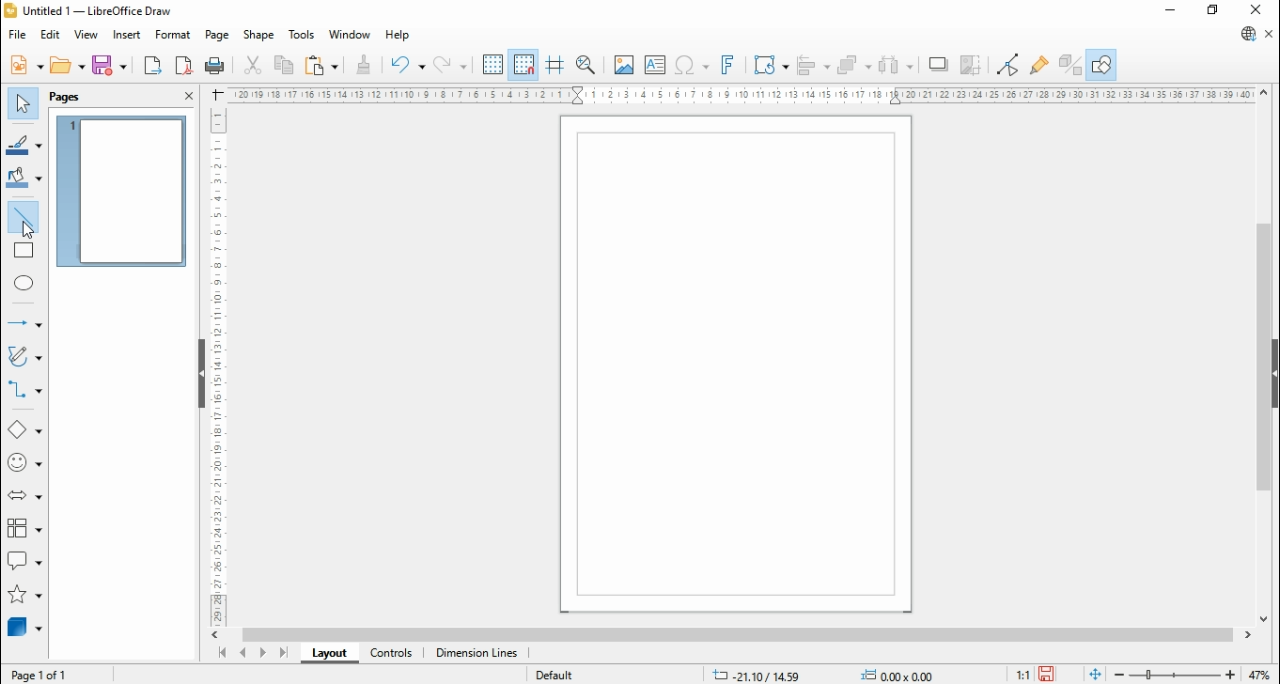 This screenshot has width=1280, height=684. Describe the element at coordinates (24, 430) in the screenshot. I see `basic shapes` at that location.